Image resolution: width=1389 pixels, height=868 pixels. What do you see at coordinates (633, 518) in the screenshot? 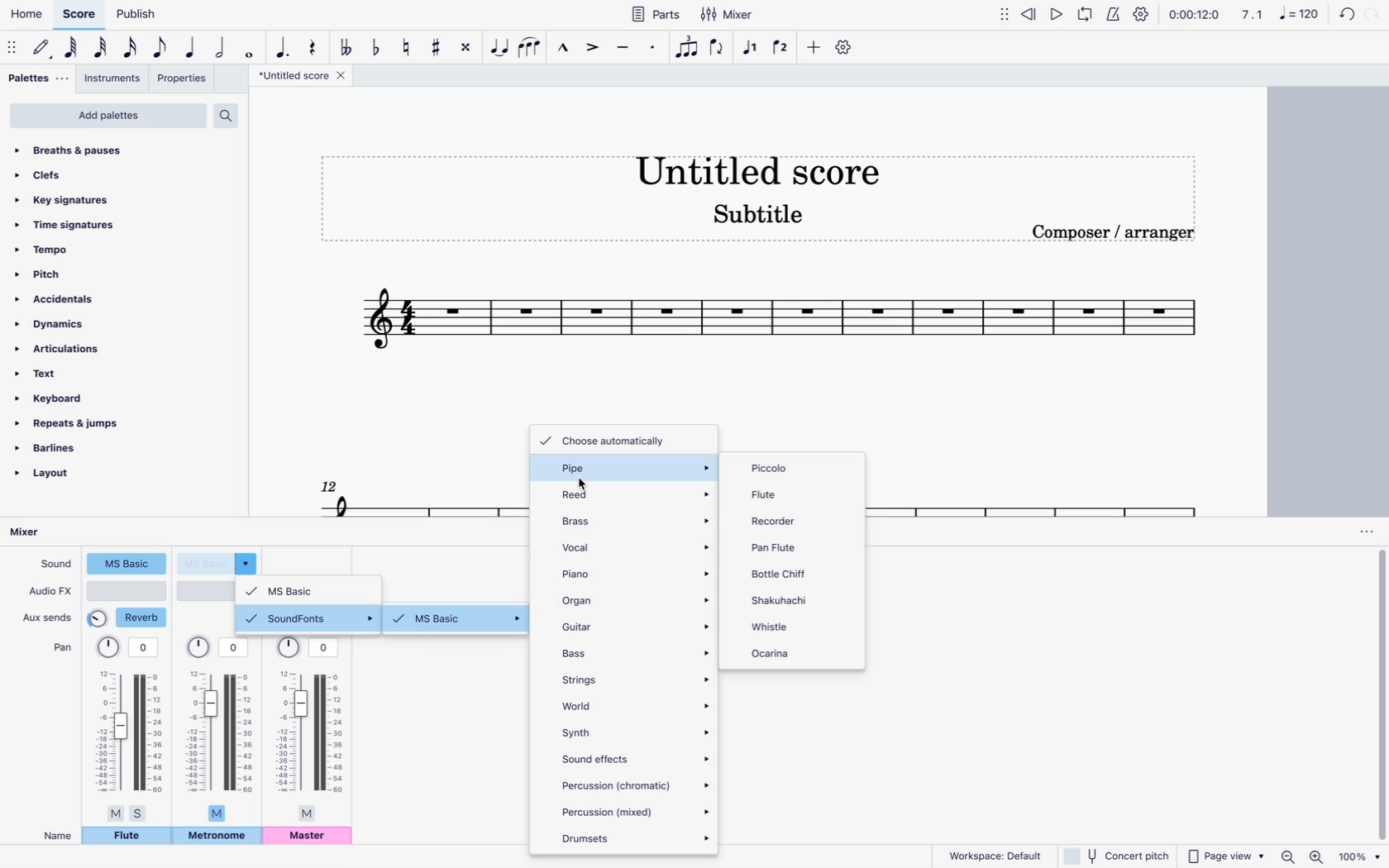
I see `brass` at bounding box center [633, 518].